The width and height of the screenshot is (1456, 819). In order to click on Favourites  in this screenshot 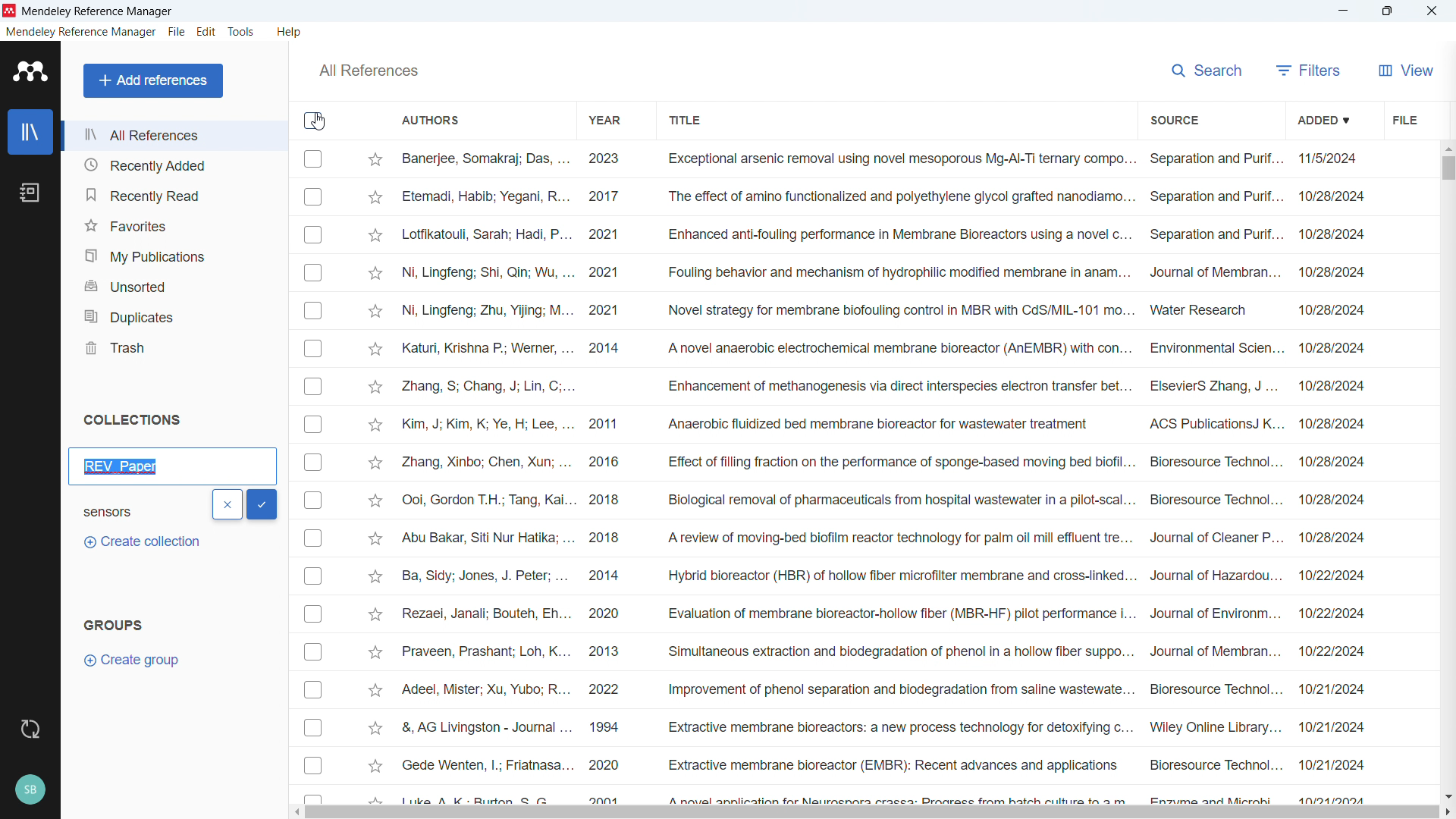, I will do `click(174, 224)`.